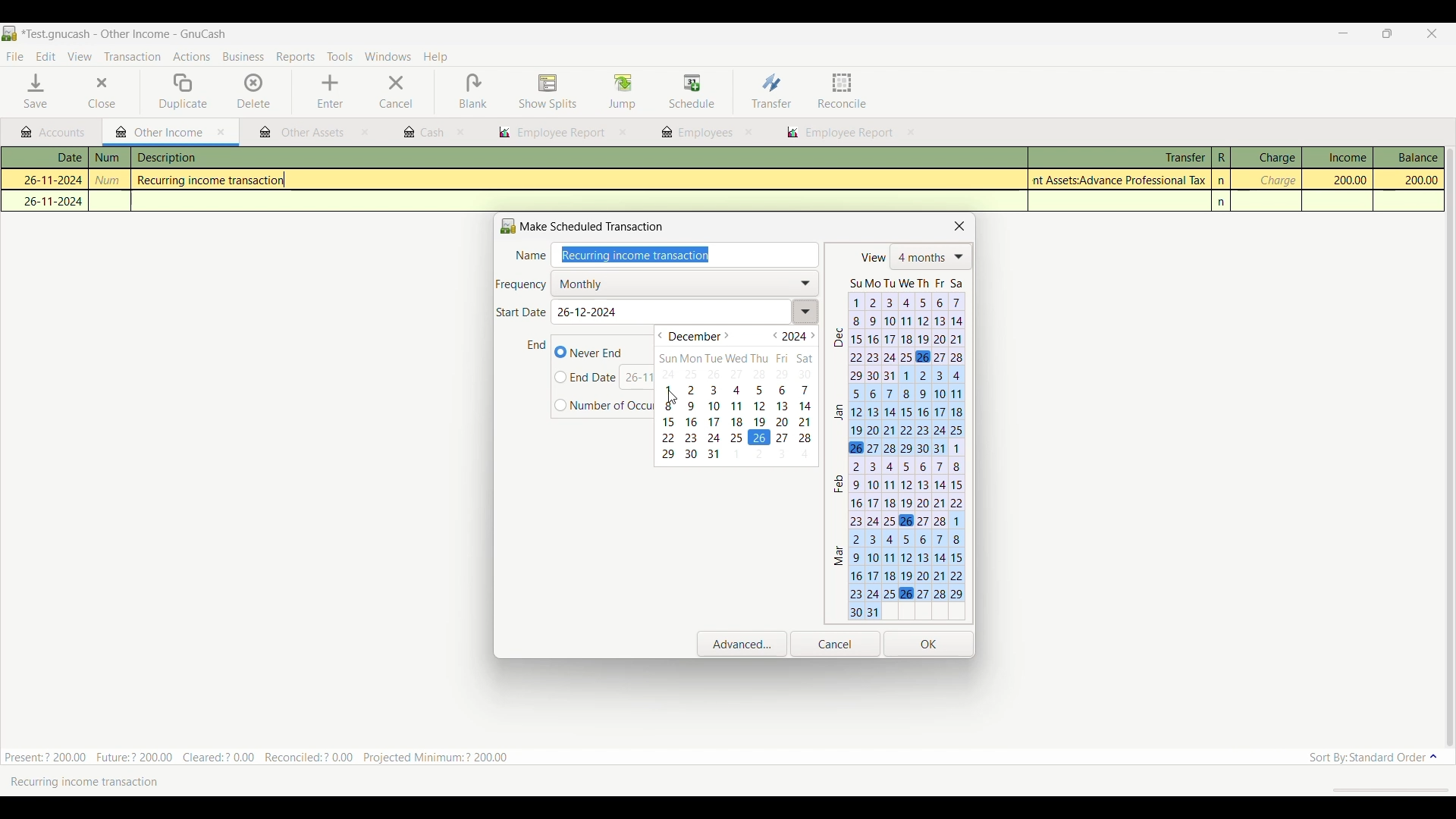 This screenshot has width=1456, height=819. What do you see at coordinates (1276, 180) in the screenshot?
I see `charge` at bounding box center [1276, 180].